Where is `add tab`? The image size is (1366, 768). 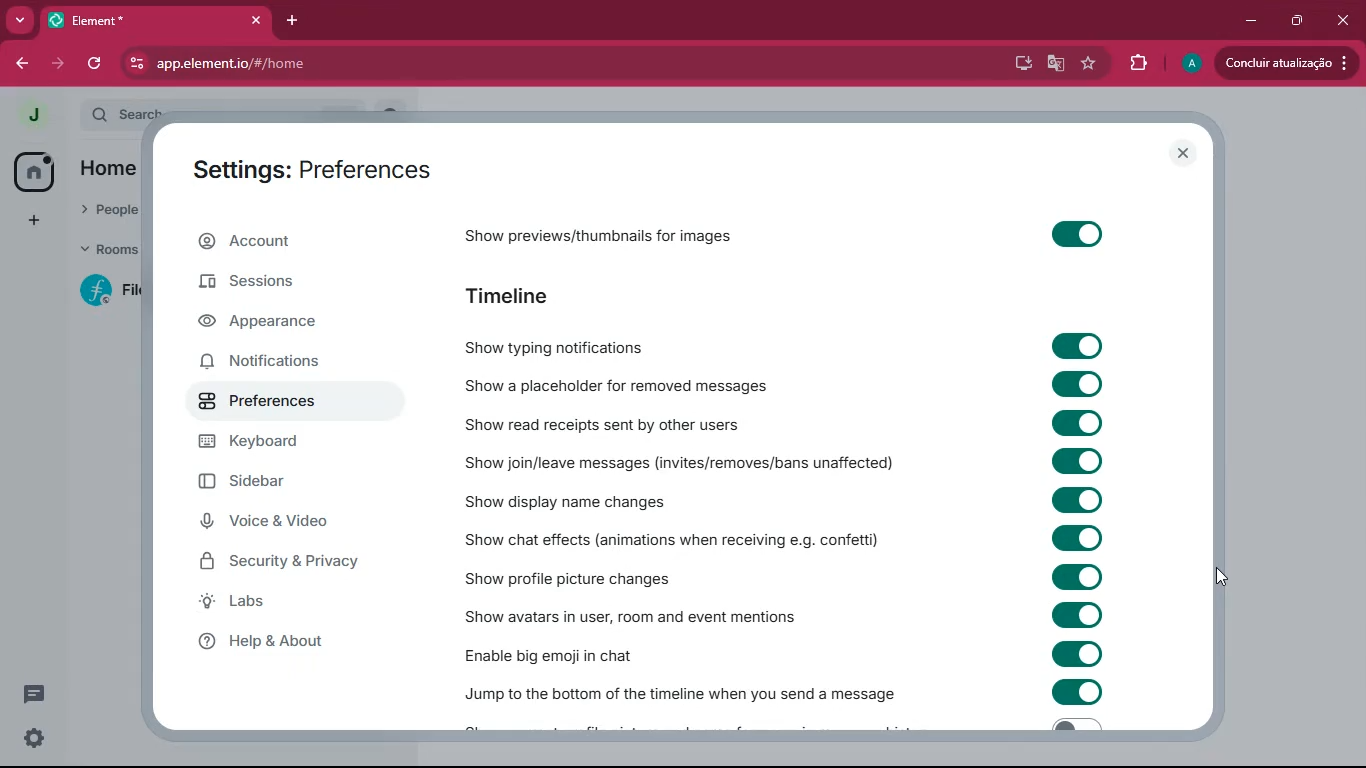 add tab is located at coordinates (287, 21).